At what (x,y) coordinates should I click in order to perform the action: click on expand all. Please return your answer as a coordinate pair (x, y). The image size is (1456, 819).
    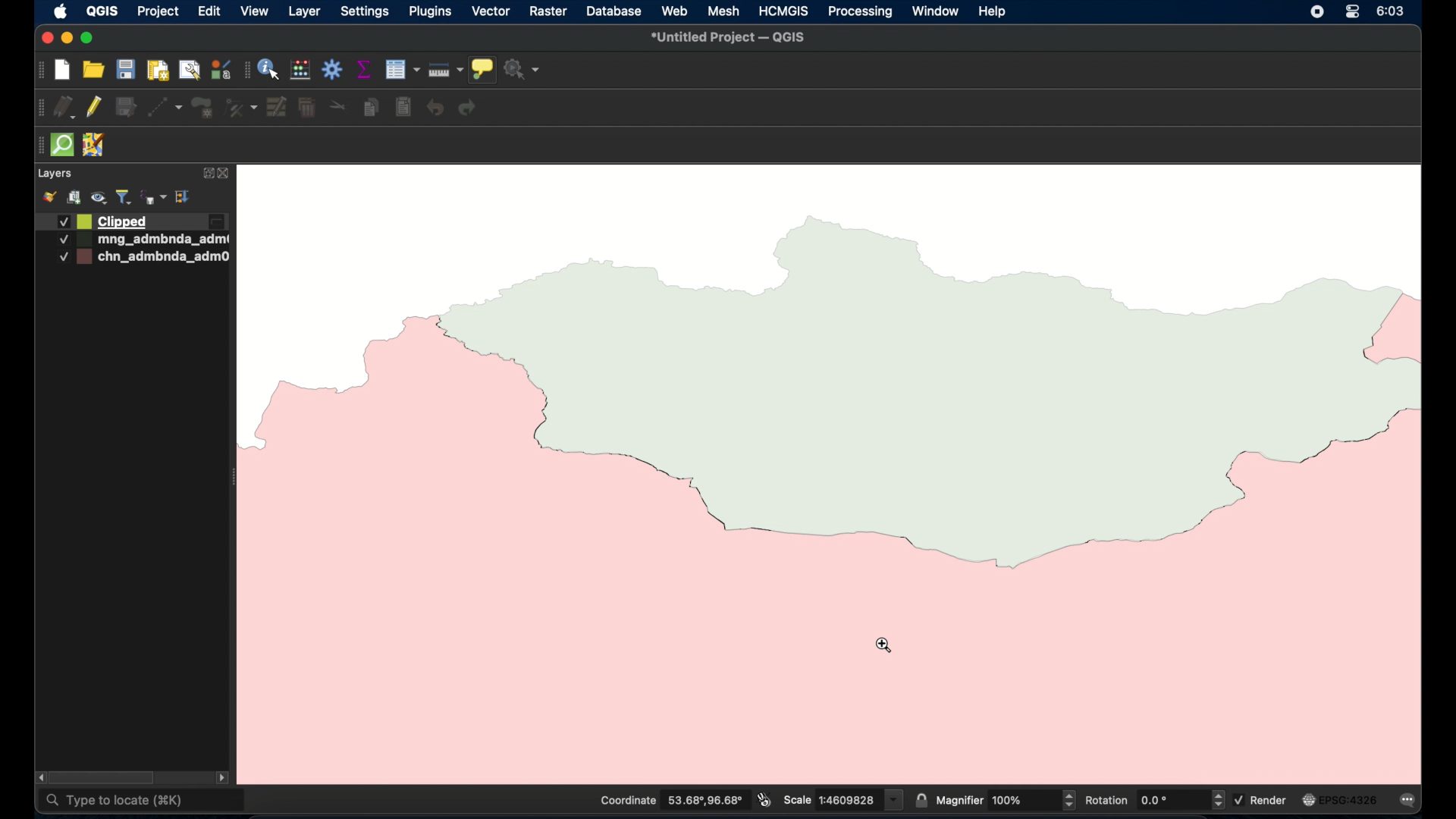
    Looking at the image, I should click on (184, 197).